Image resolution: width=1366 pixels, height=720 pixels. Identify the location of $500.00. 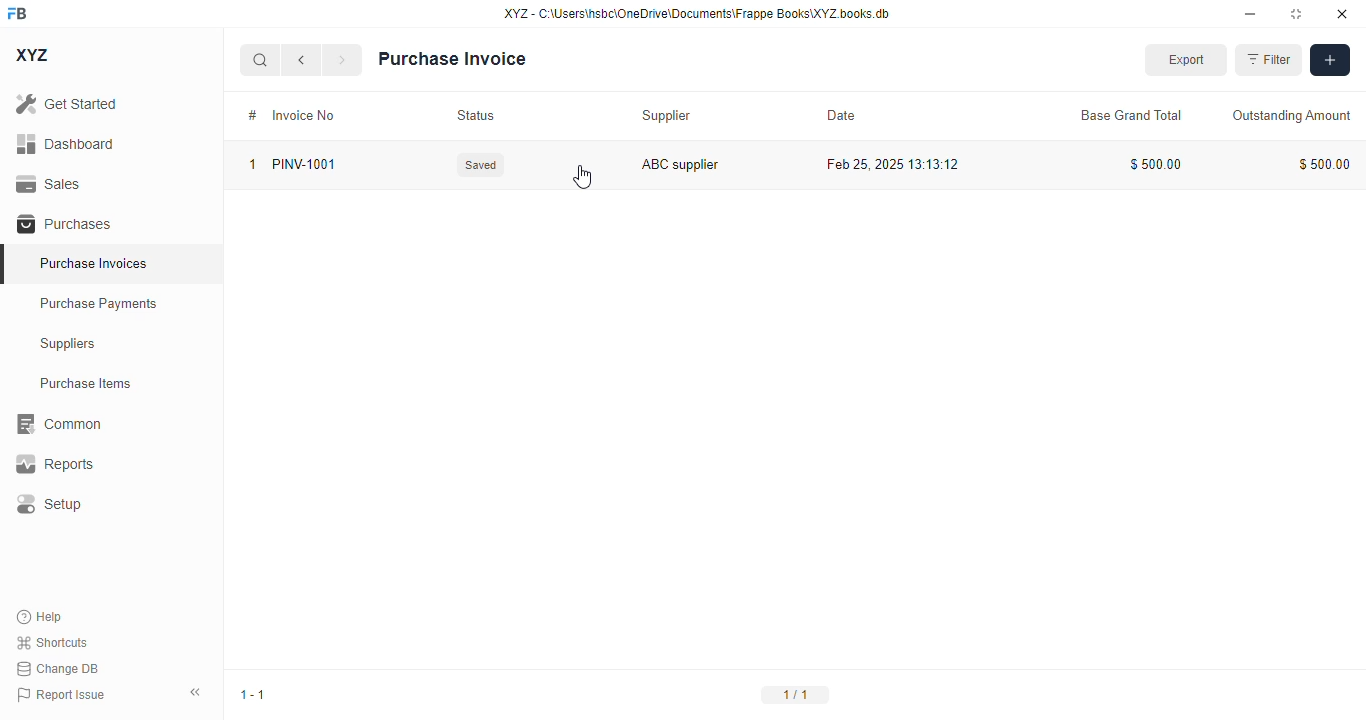
(1154, 164).